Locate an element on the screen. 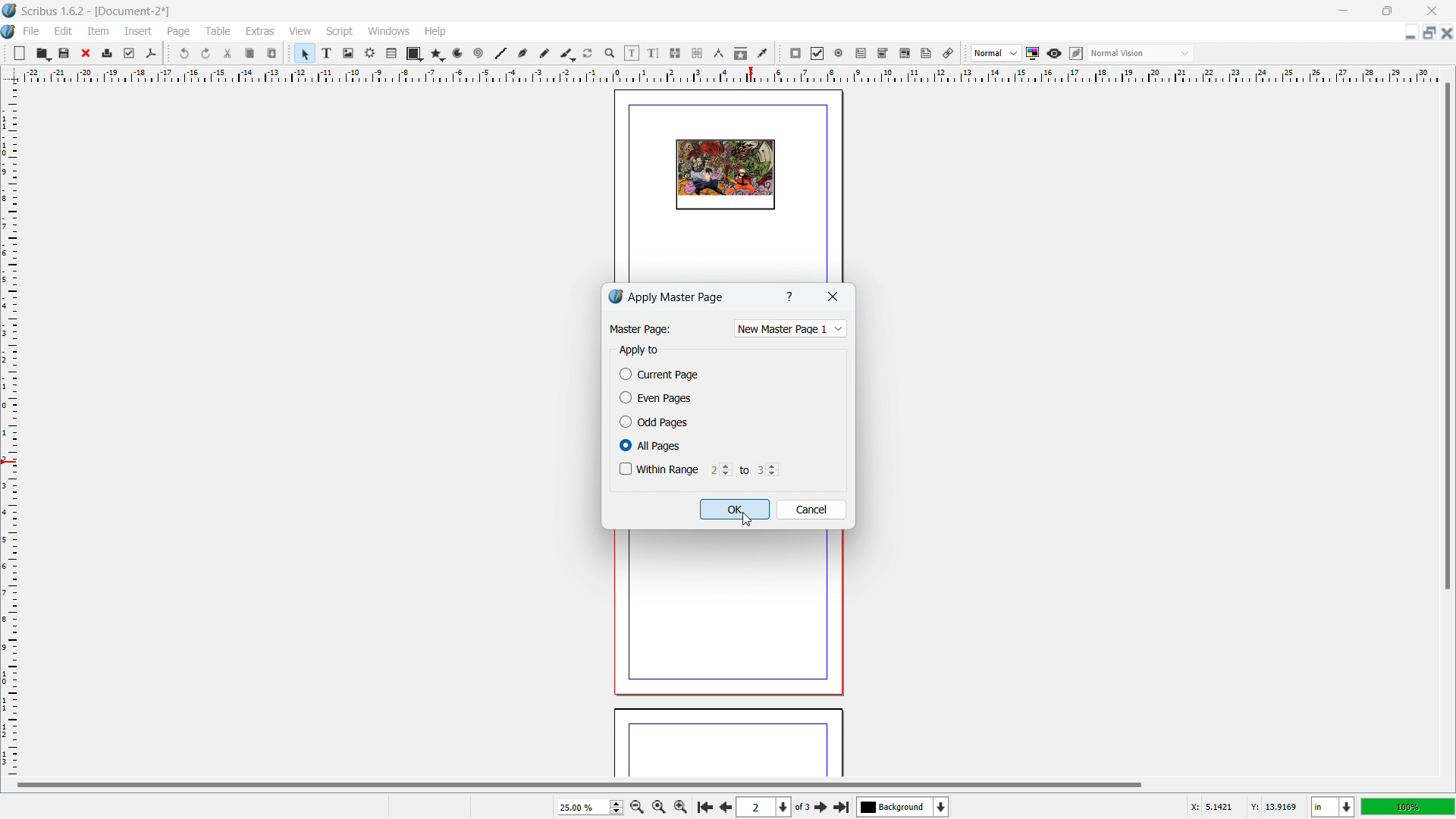 This screenshot has height=819, width=1456. save as pdf is located at coordinates (150, 54).